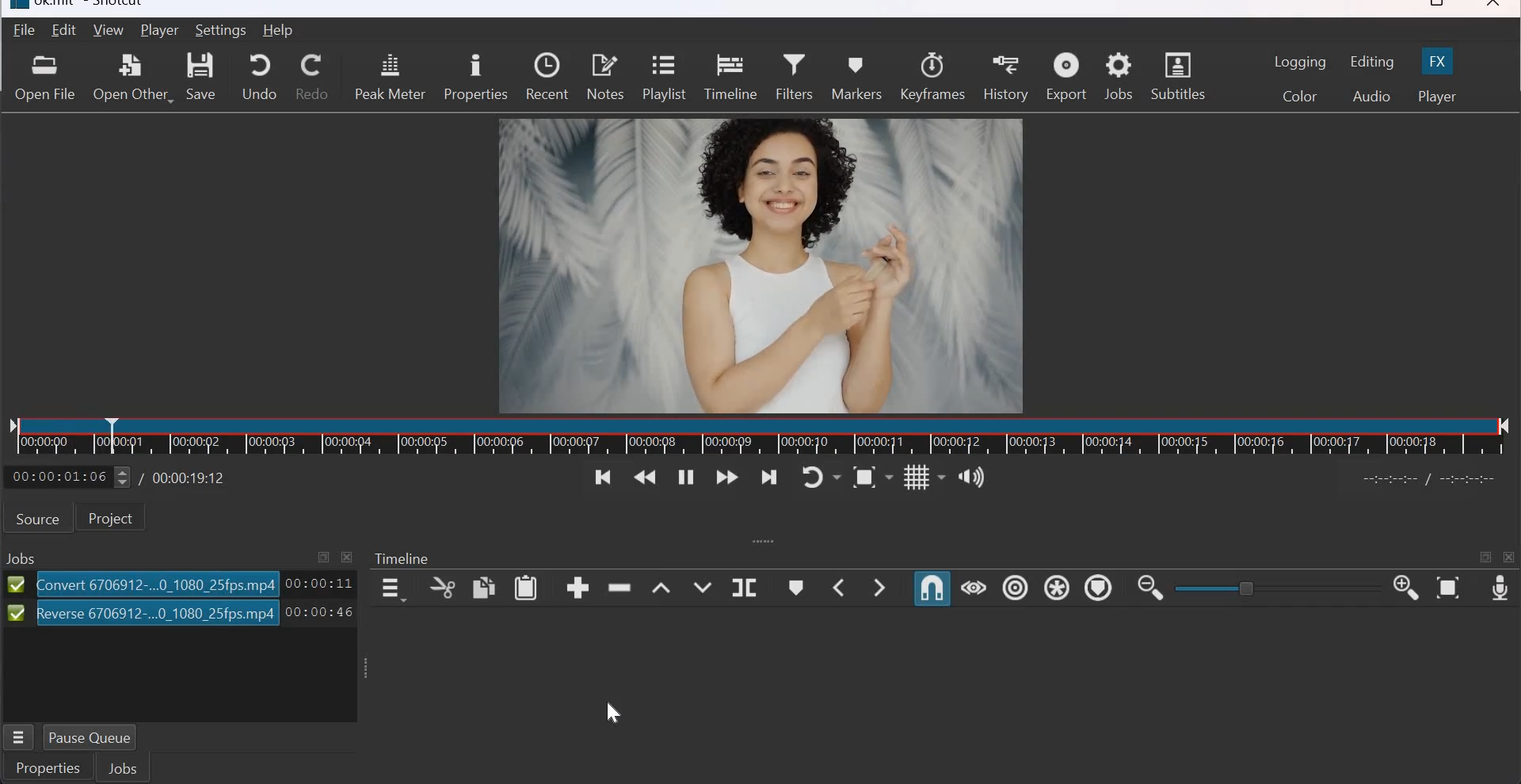 This screenshot has width=1521, height=784. Describe the element at coordinates (974, 474) in the screenshot. I see `Show the volume control` at that location.